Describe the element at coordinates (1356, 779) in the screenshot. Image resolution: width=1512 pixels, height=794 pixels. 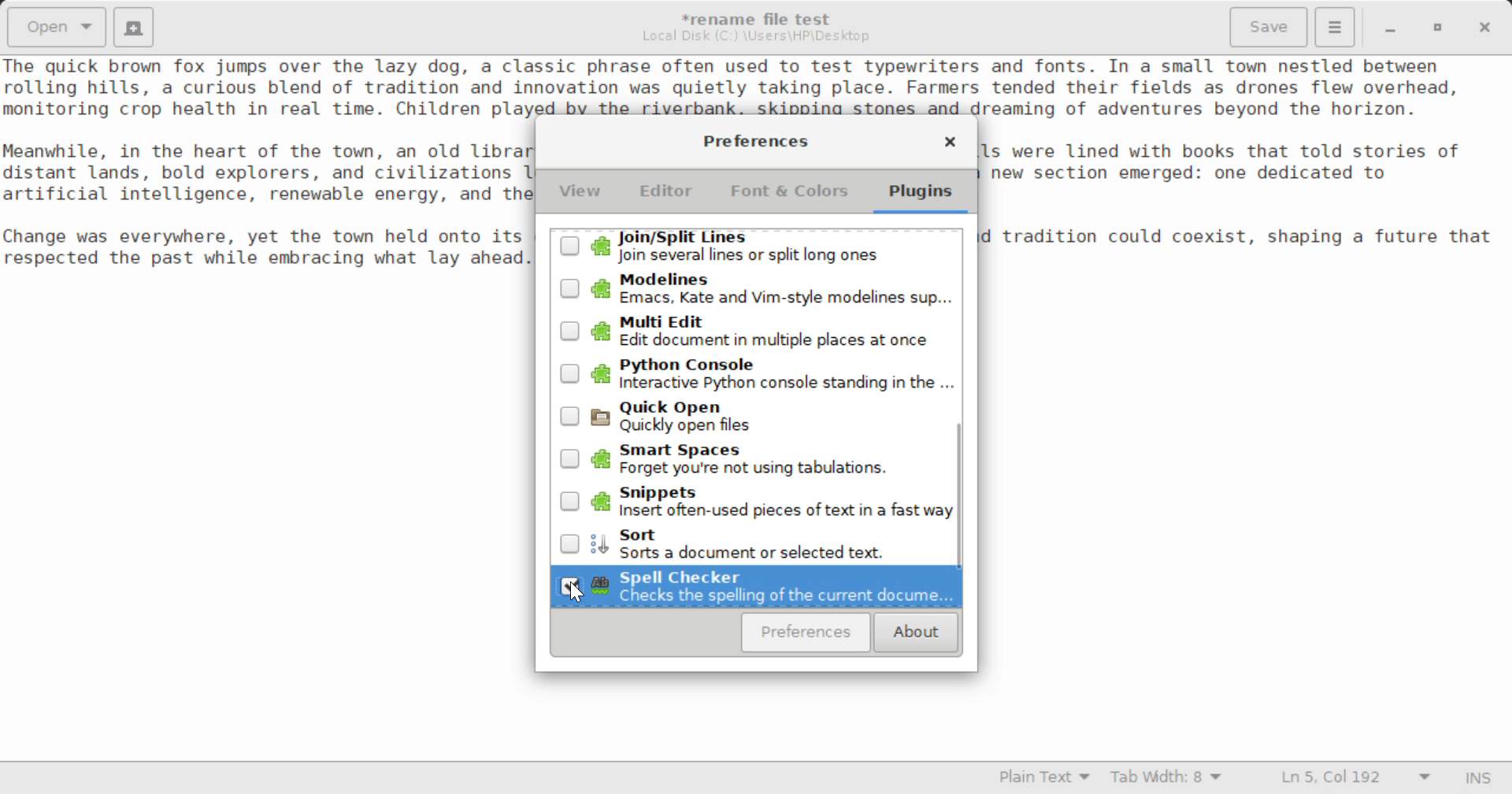
I see `Line & Character Count` at that location.